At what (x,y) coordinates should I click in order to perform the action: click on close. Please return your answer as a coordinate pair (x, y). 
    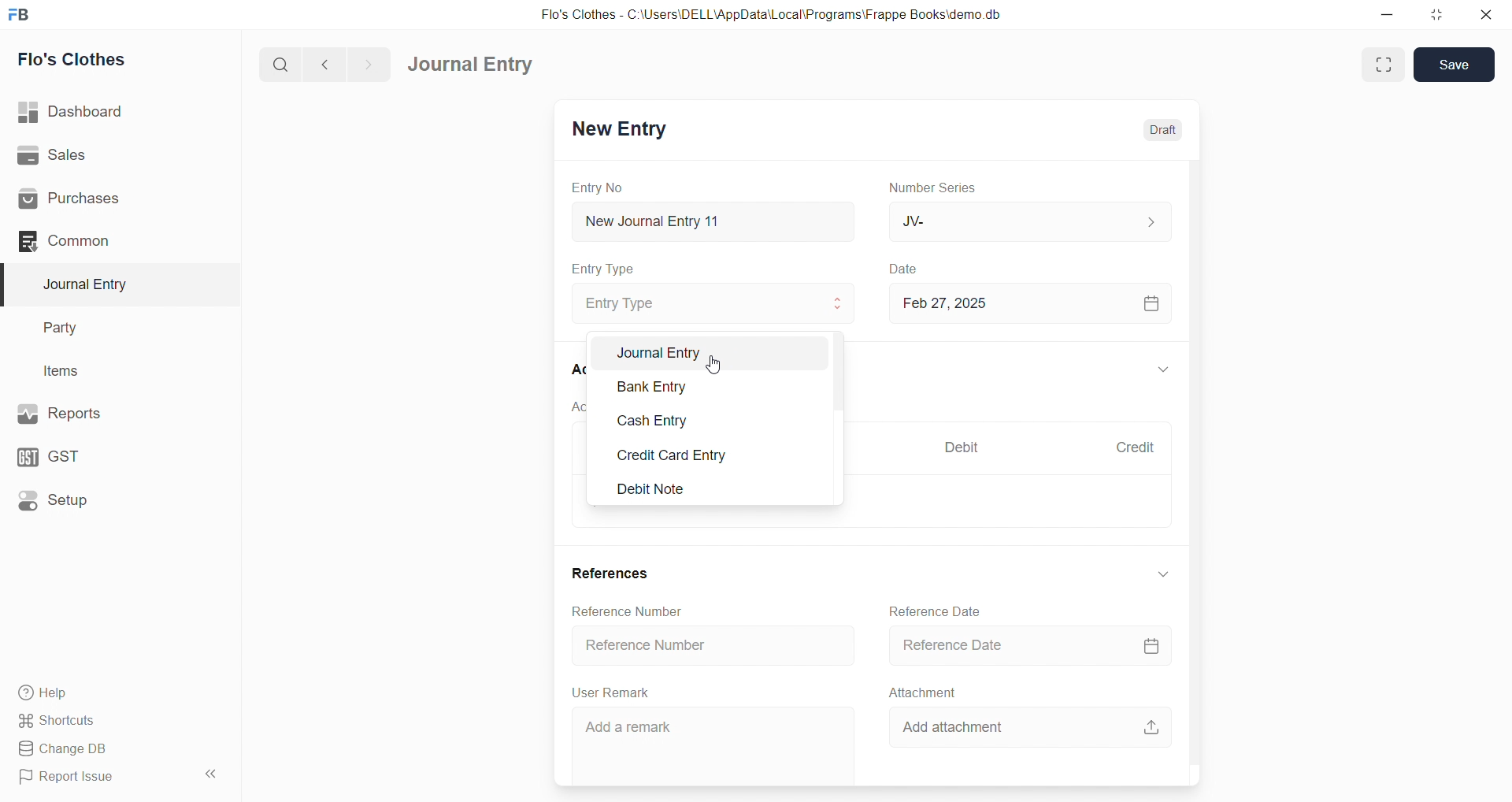
    Looking at the image, I should click on (1488, 14).